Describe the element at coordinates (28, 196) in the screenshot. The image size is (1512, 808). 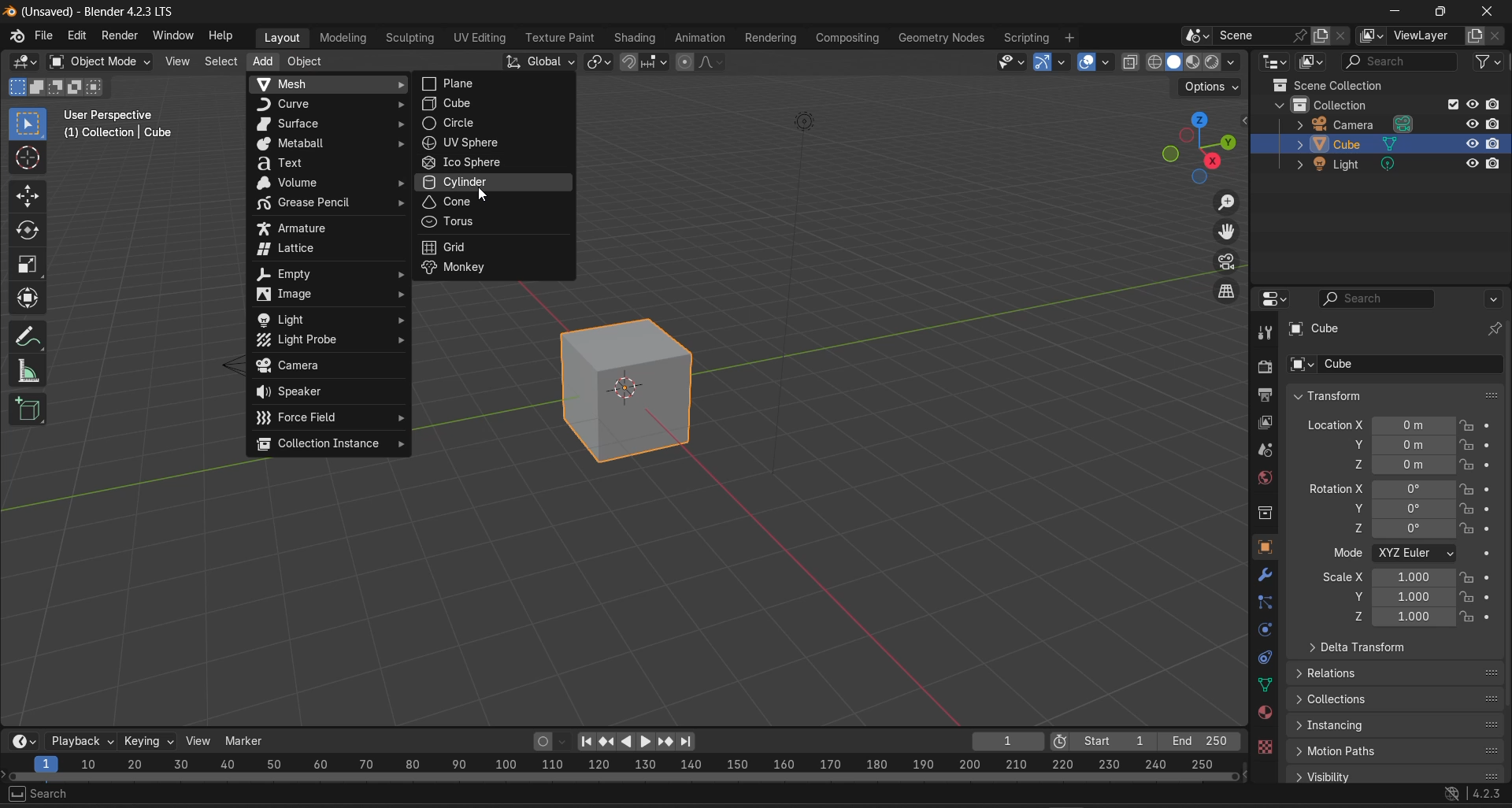
I see `move` at that location.